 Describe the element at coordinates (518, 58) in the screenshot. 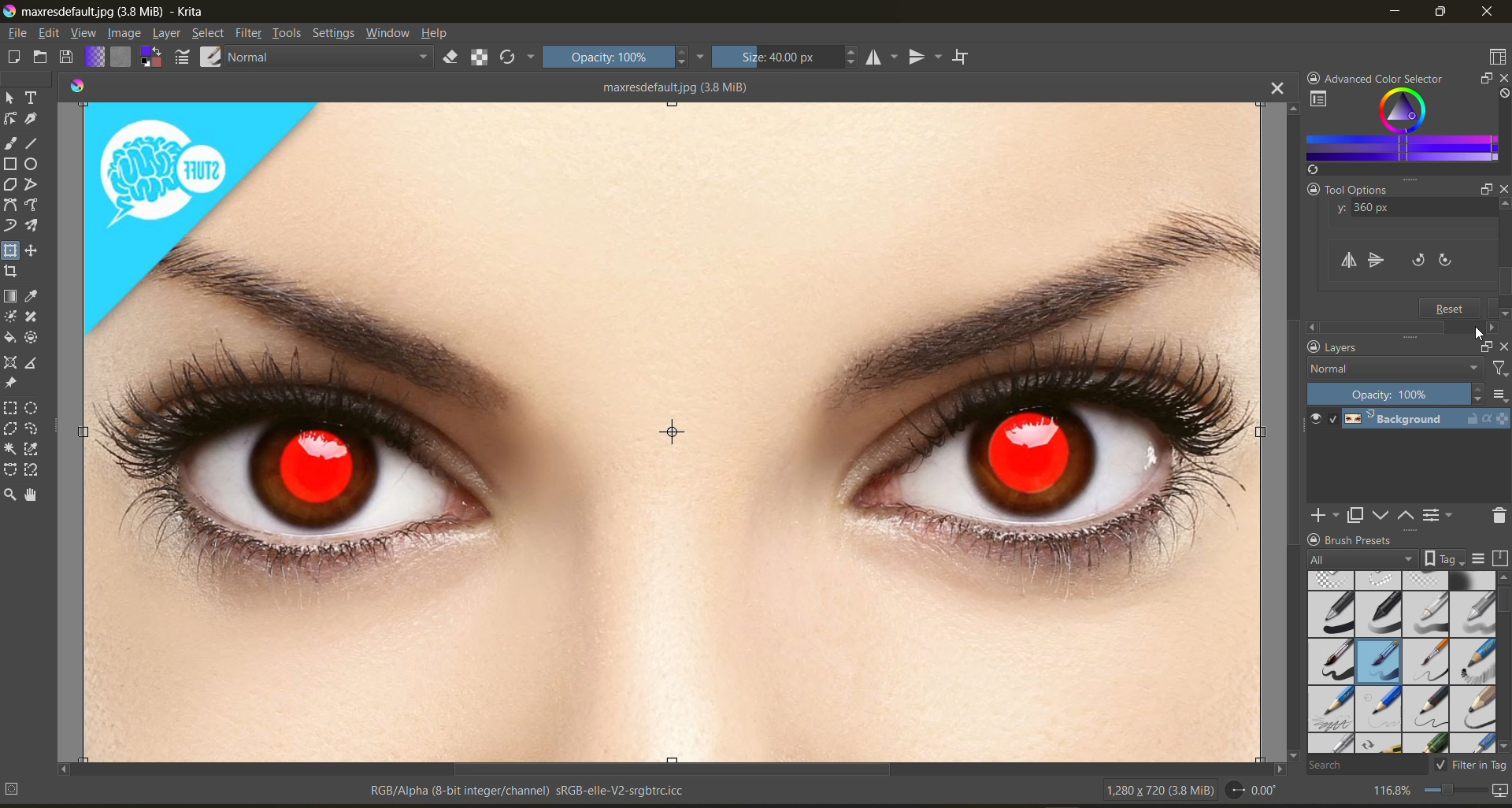

I see `reload original preset` at that location.